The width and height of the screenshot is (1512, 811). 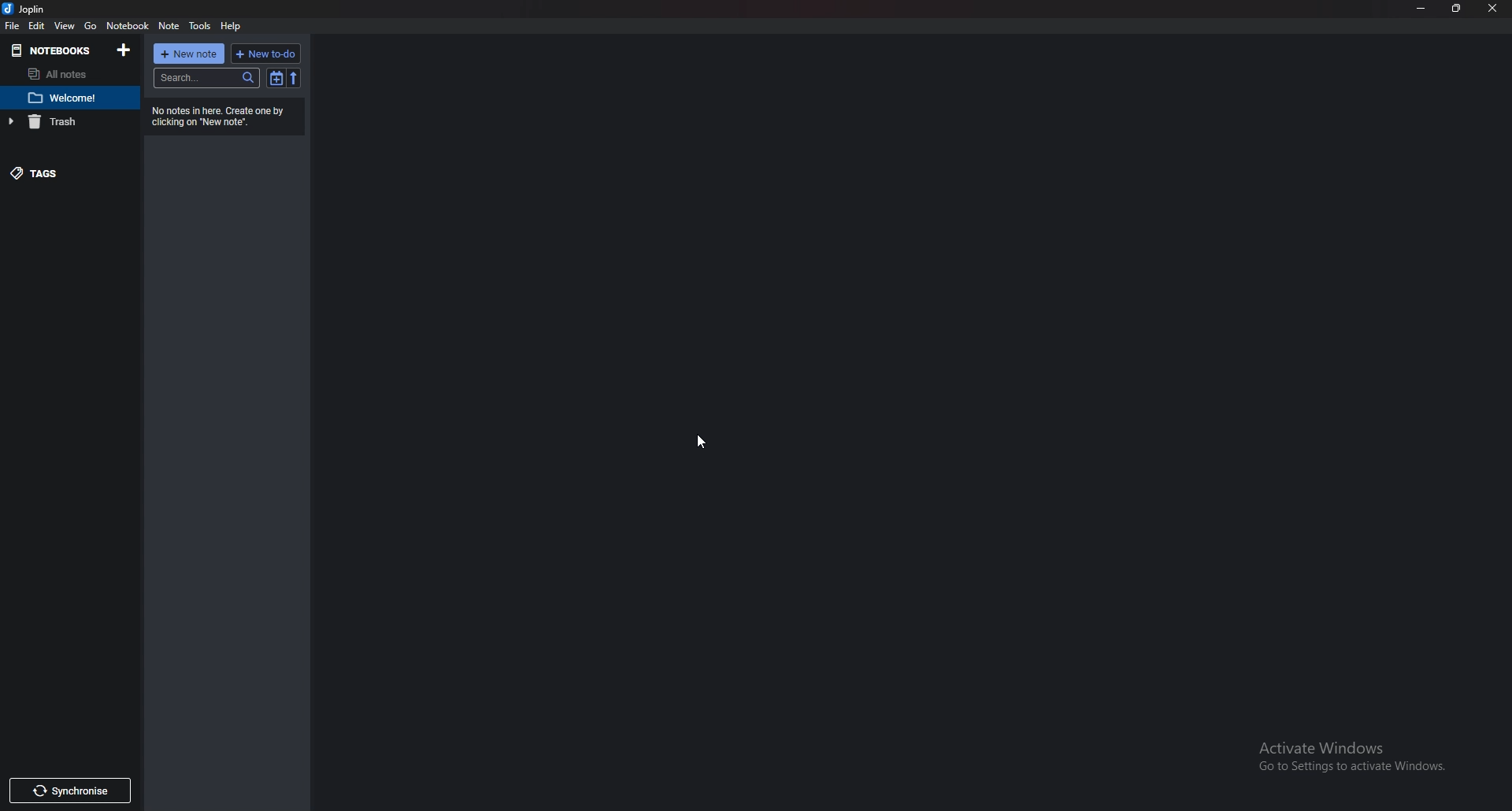 I want to click on Reverse sort order, so click(x=297, y=78).